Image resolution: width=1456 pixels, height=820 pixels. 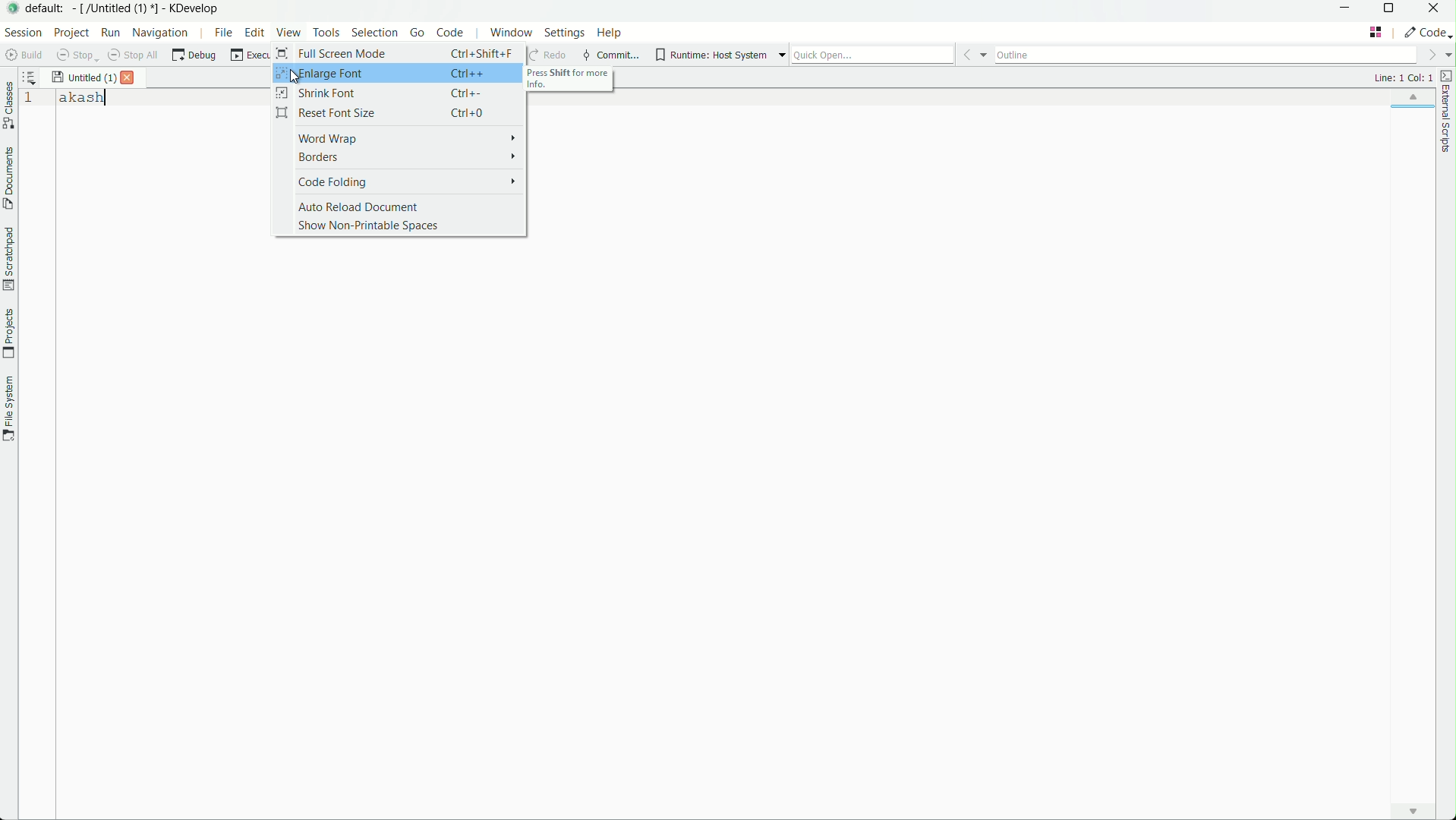 What do you see at coordinates (10, 335) in the screenshot?
I see `projects` at bounding box center [10, 335].